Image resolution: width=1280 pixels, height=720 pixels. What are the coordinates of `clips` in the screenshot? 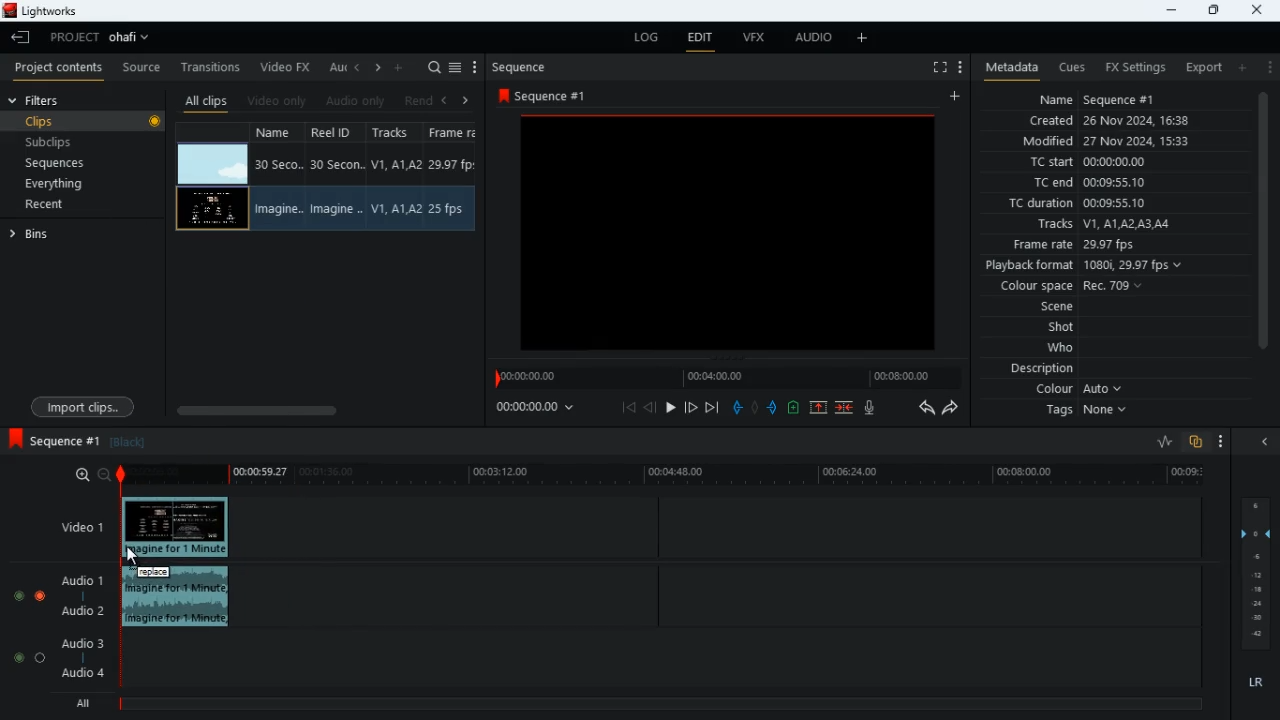 It's located at (85, 123).